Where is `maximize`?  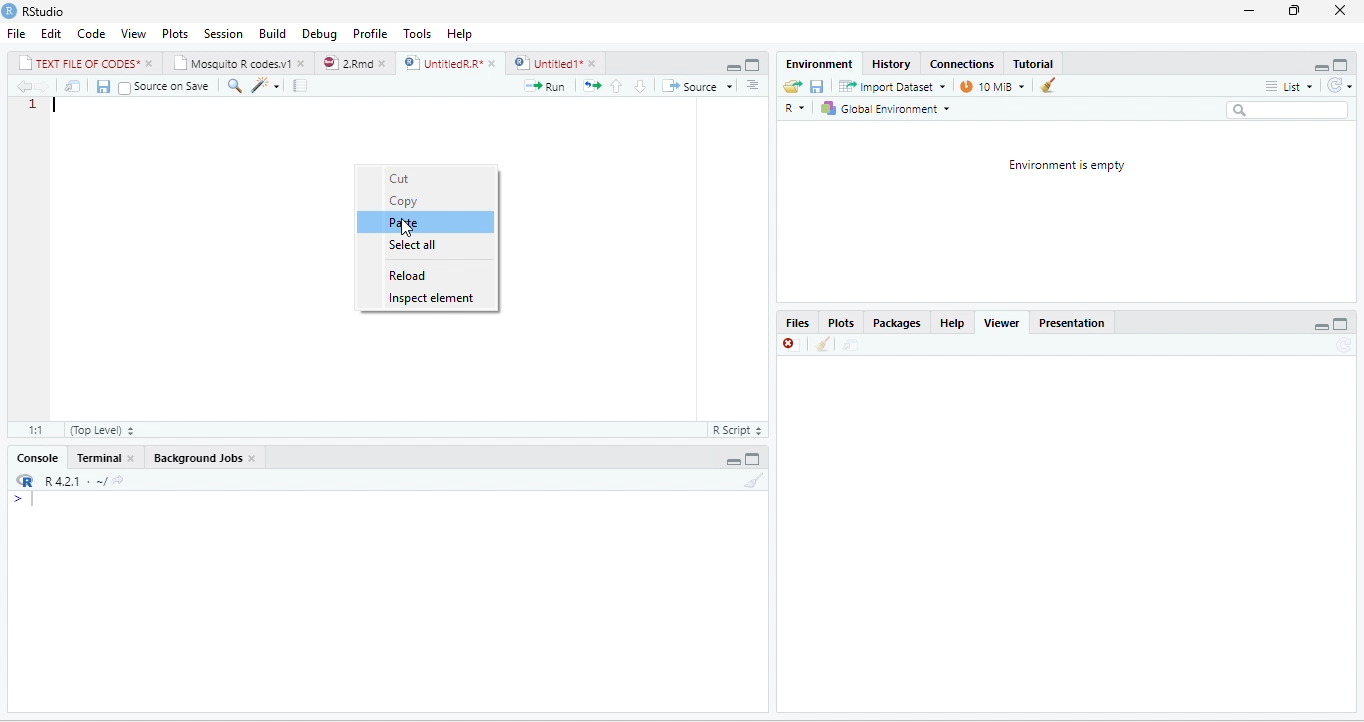 maximize is located at coordinates (735, 64).